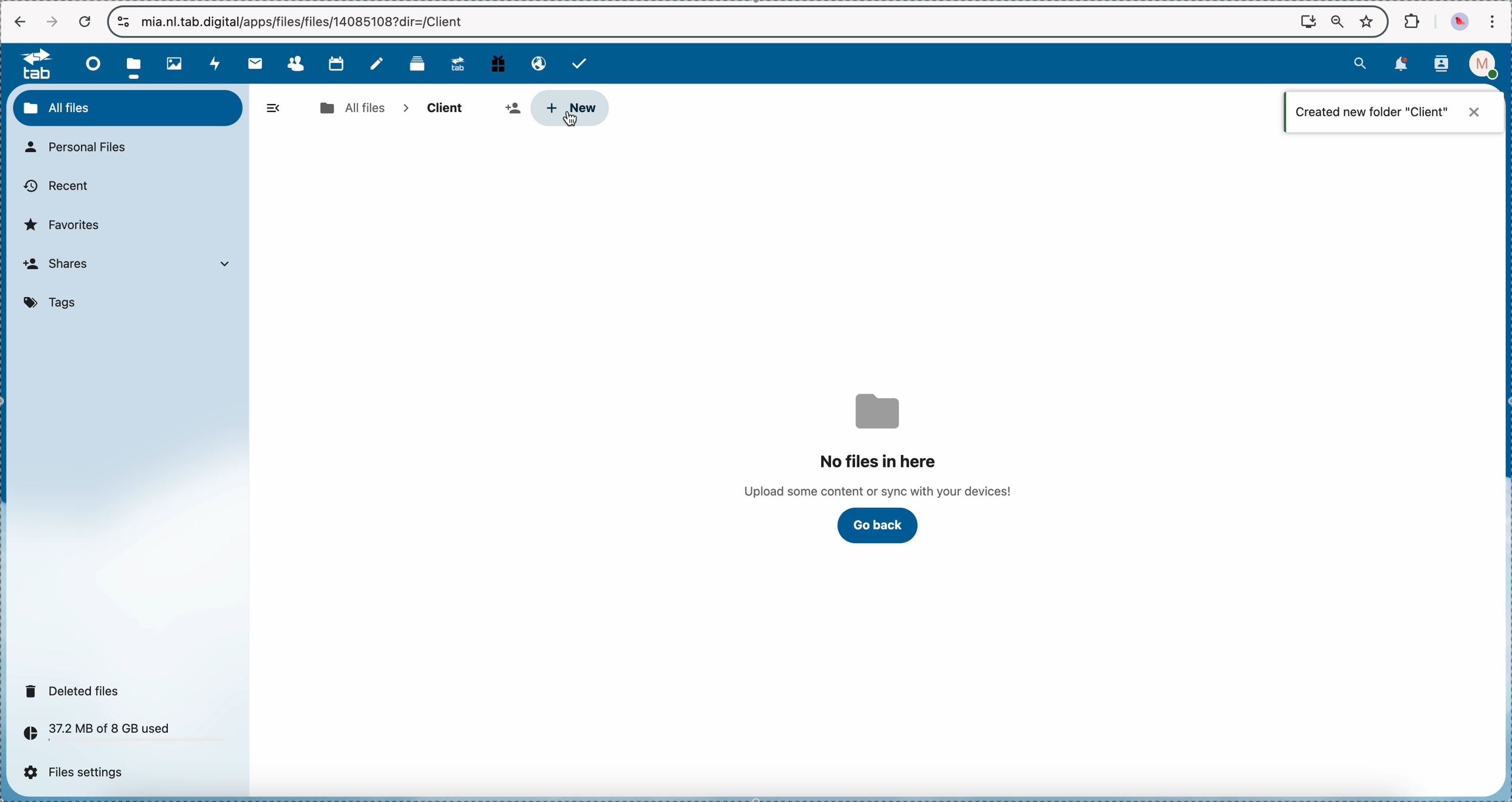 The width and height of the screenshot is (1512, 802). Describe the element at coordinates (336, 62) in the screenshot. I see `calendar` at that location.